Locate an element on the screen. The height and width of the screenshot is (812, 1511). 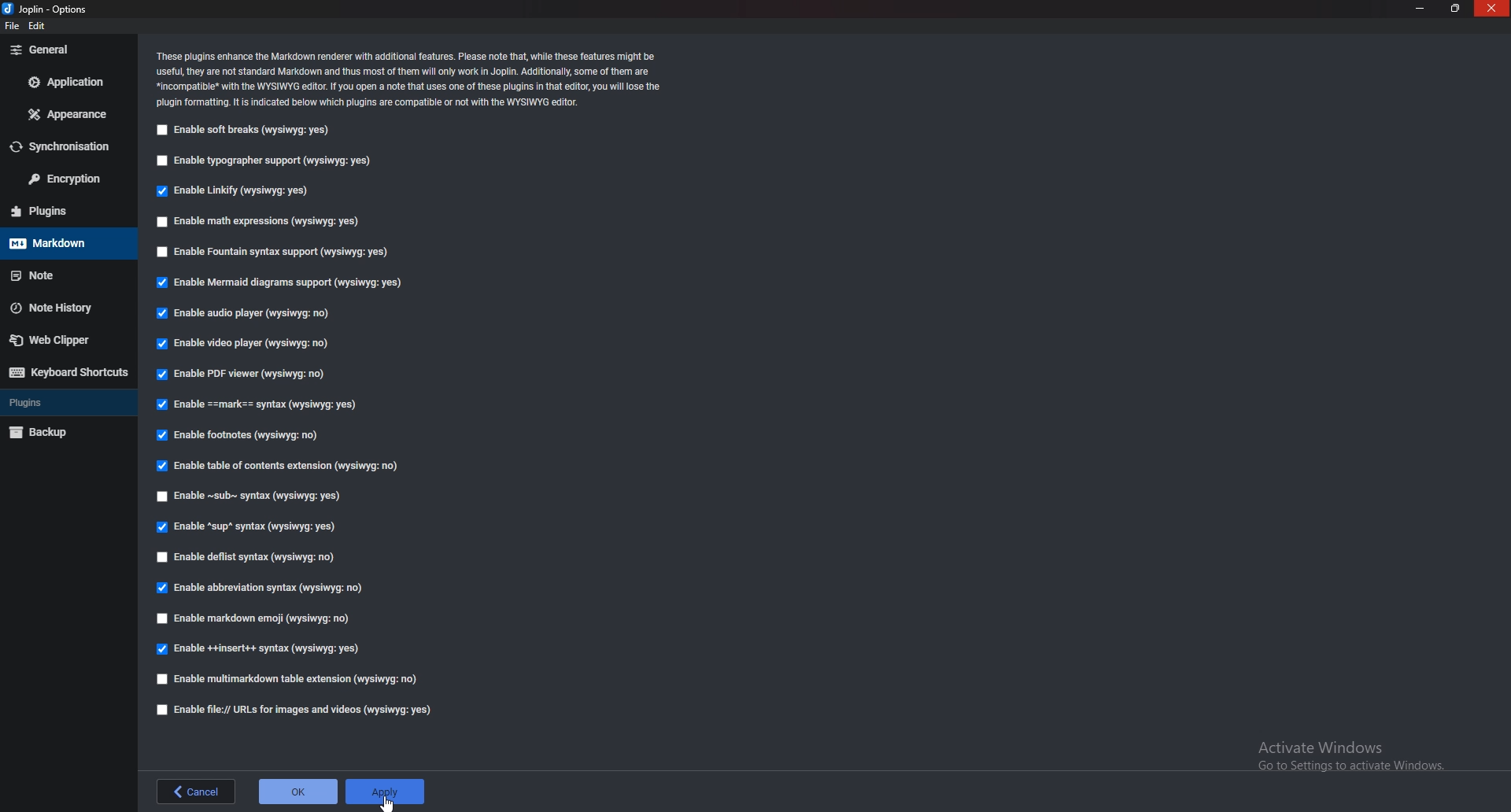
Enable audio player is located at coordinates (242, 314).